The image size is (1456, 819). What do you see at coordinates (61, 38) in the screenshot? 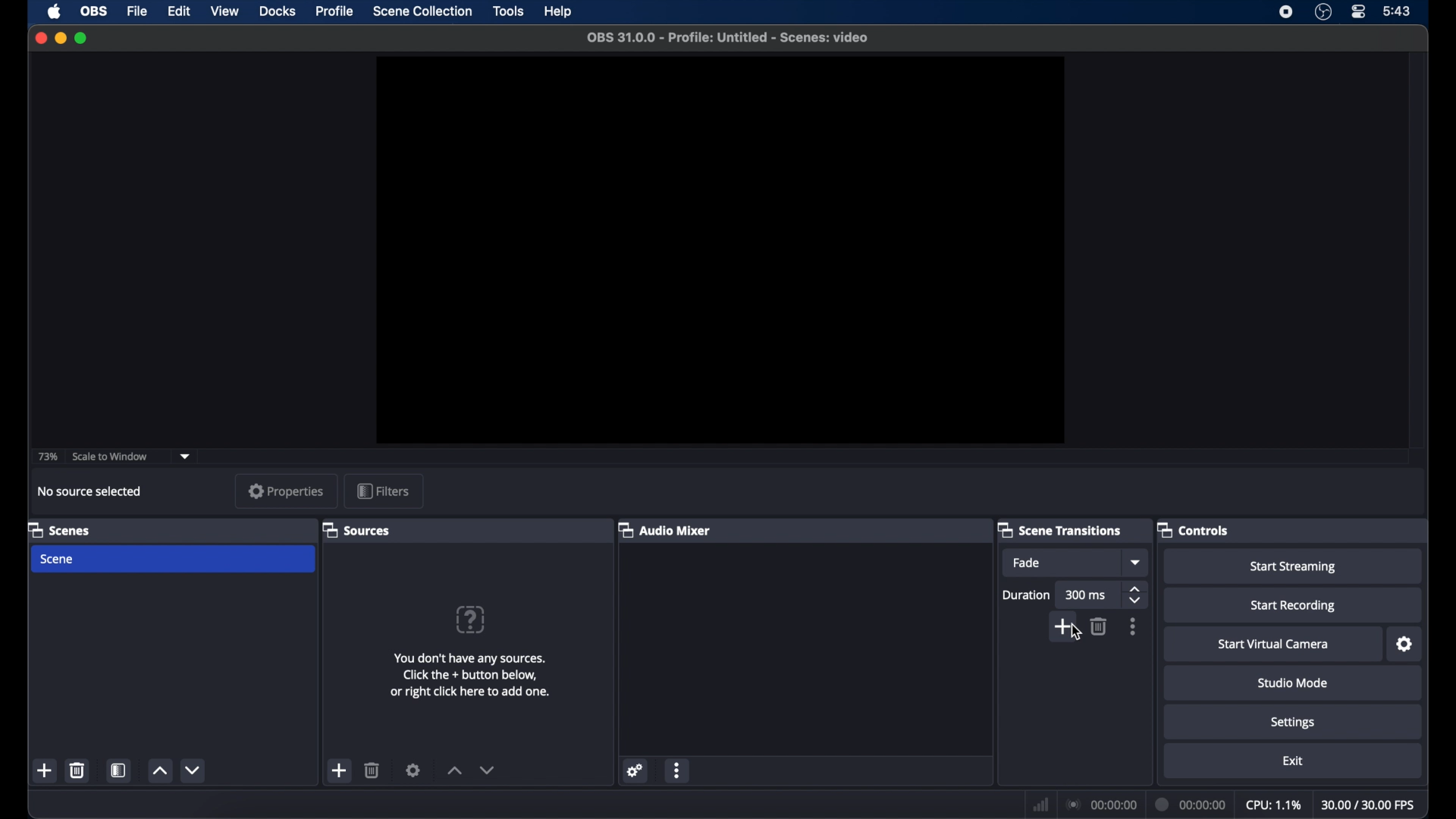
I see `minimize` at bounding box center [61, 38].